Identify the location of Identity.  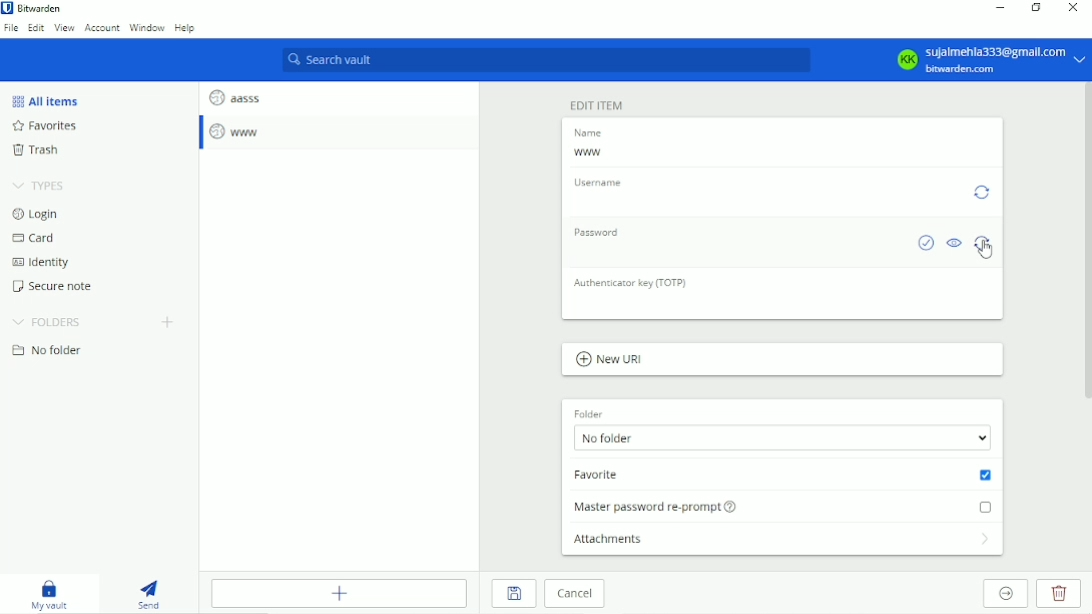
(40, 263).